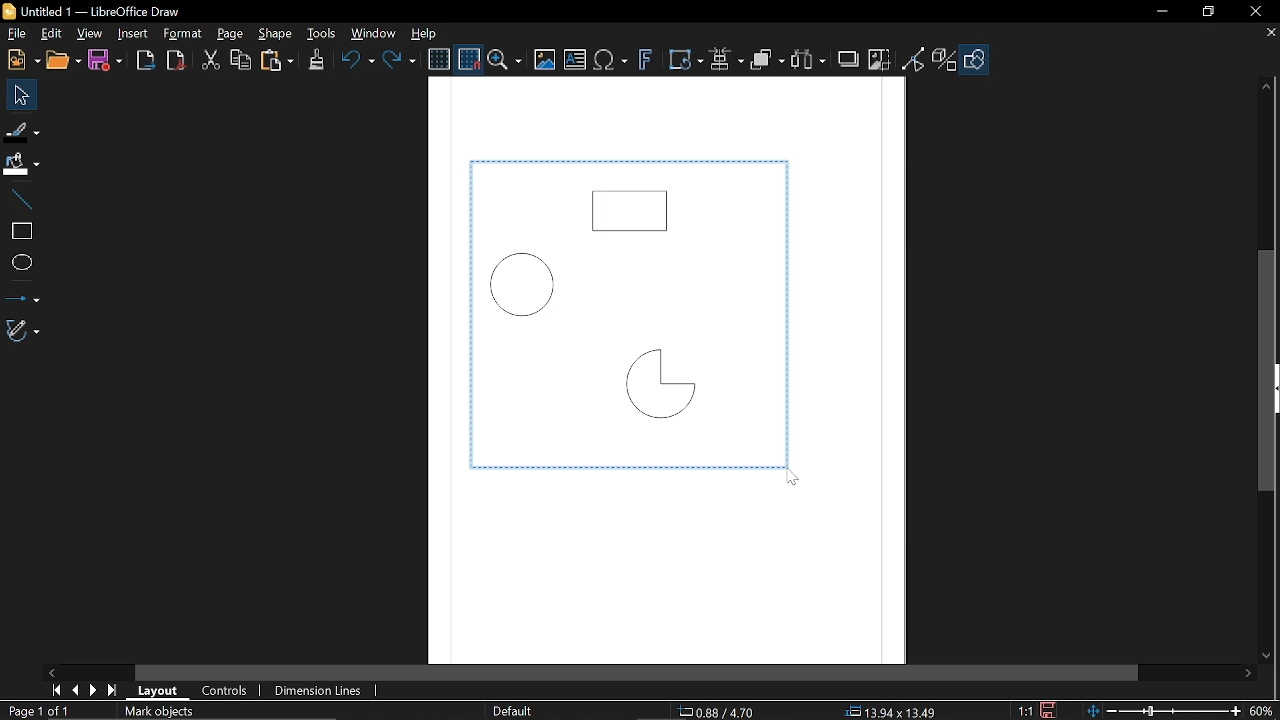 The height and width of the screenshot is (720, 1280). I want to click on Restore down, so click(1208, 13).